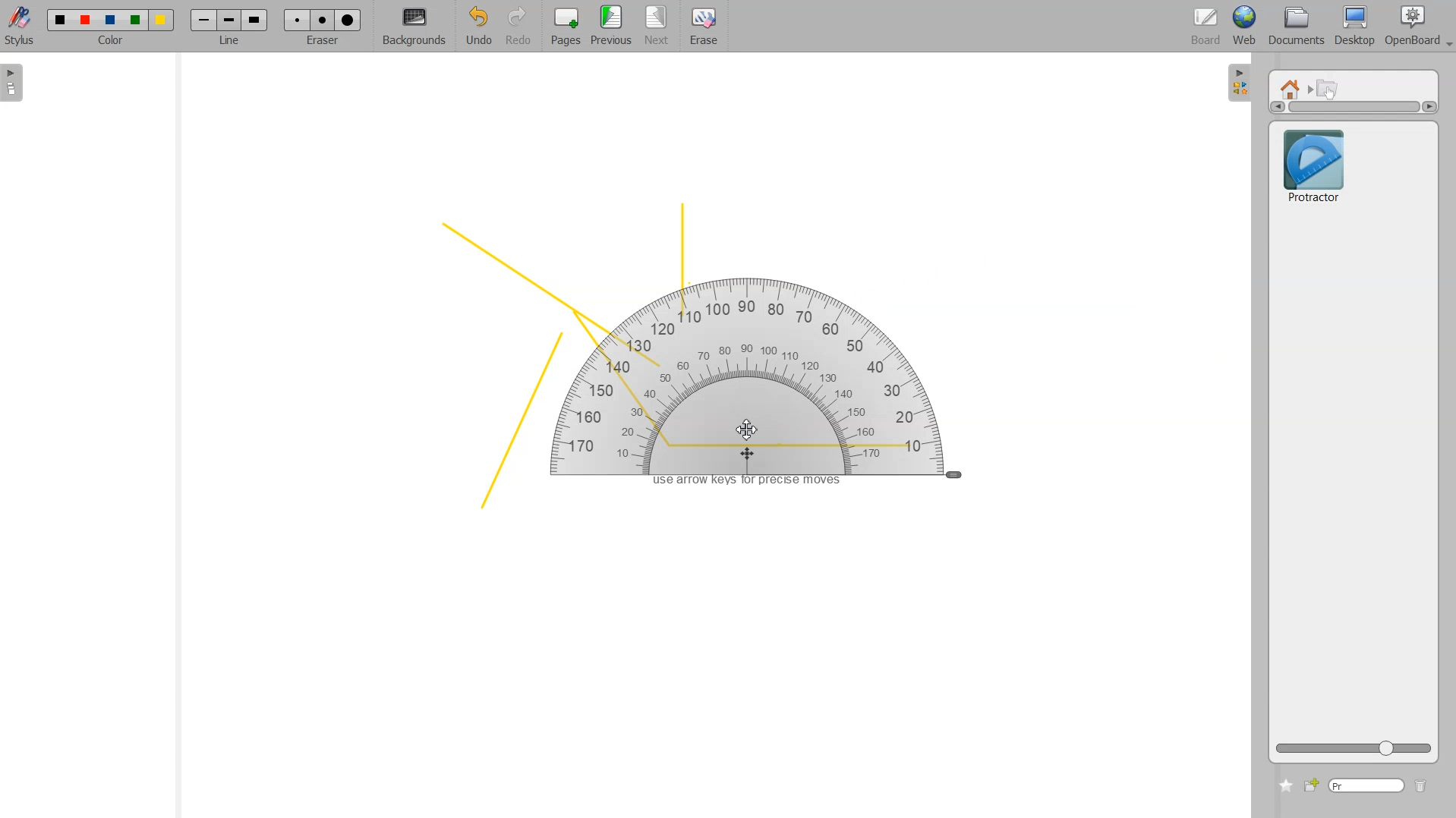 This screenshot has width=1456, height=818. I want to click on Protractor, so click(778, 386).